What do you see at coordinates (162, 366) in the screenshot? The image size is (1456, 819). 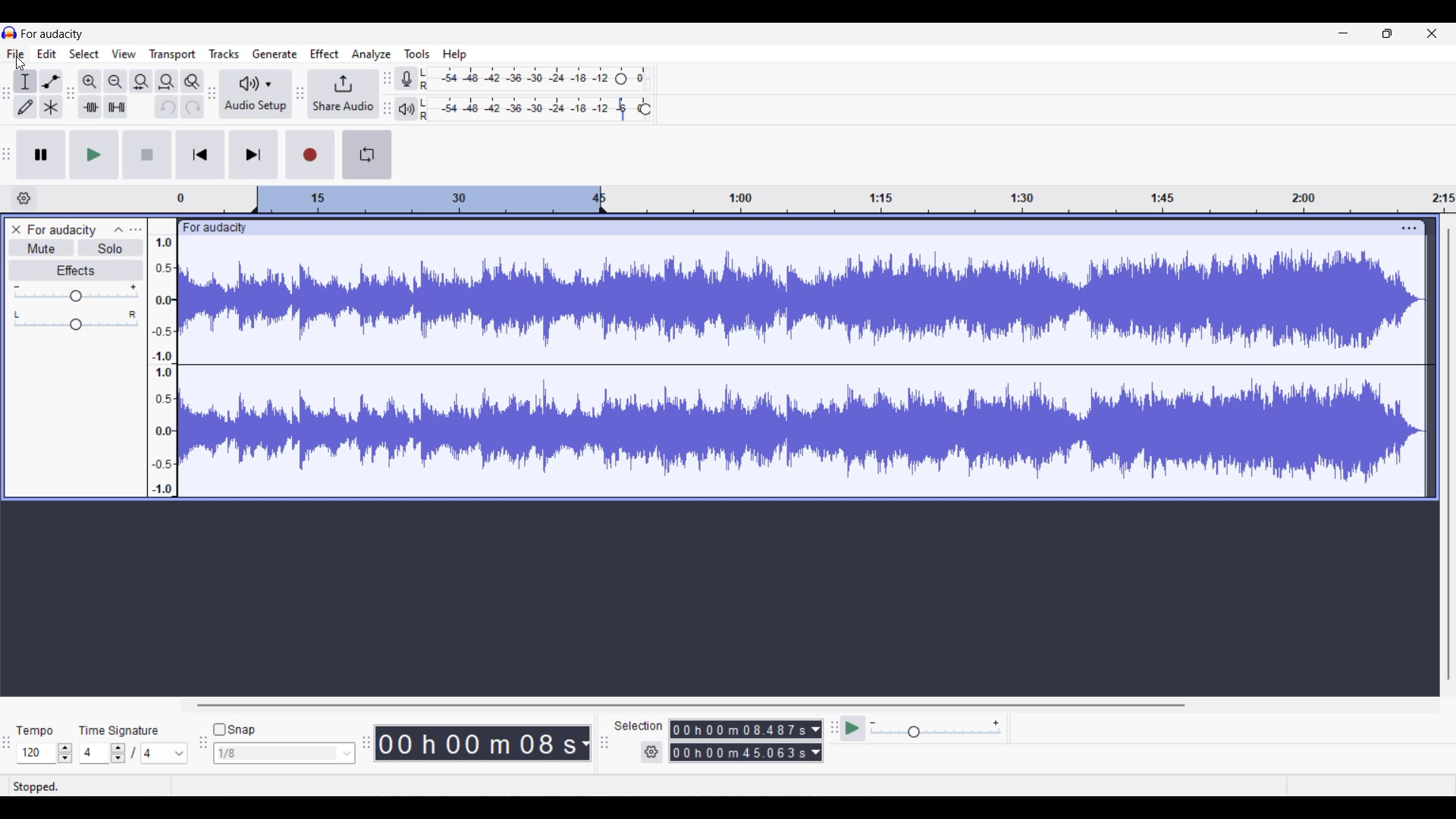 I see `Scale to measure intensty if sound` at bounding box center [162, 366].